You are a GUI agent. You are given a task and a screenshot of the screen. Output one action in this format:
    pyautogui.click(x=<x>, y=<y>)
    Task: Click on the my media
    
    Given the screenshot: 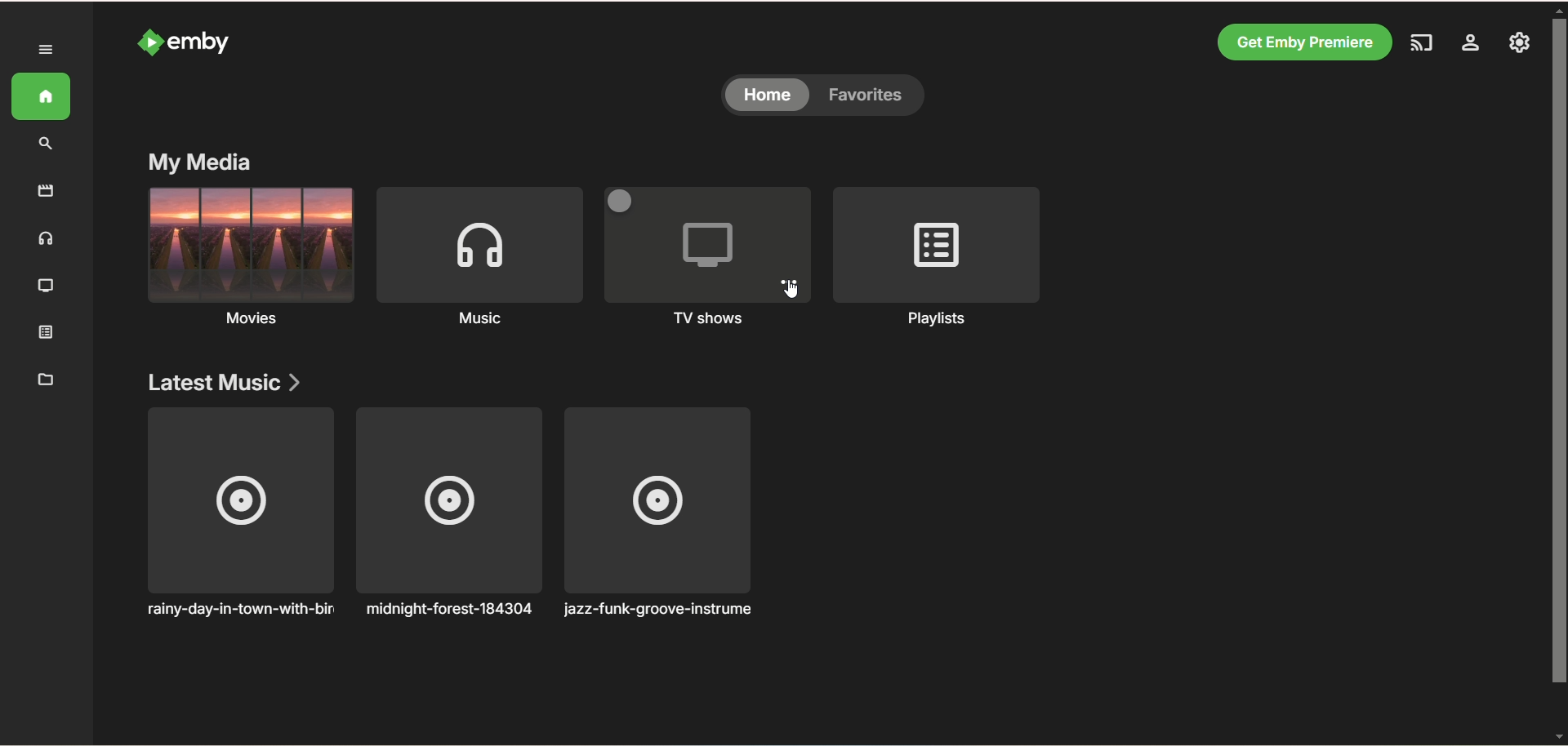 What is the action you would take?
    pyautogui.click(x=200, y=161)
    